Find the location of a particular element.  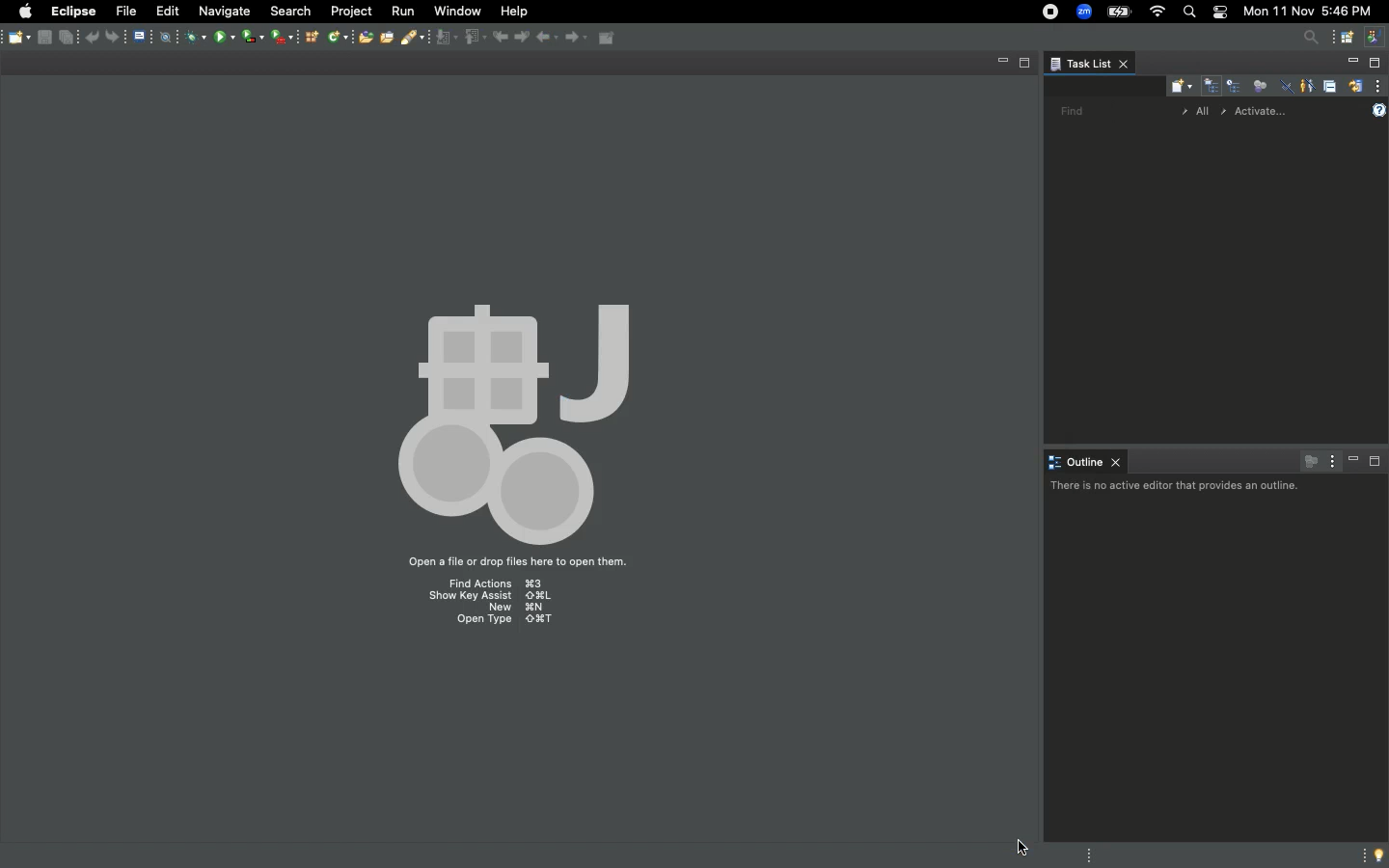

Back is located at coordinates (539, 38).